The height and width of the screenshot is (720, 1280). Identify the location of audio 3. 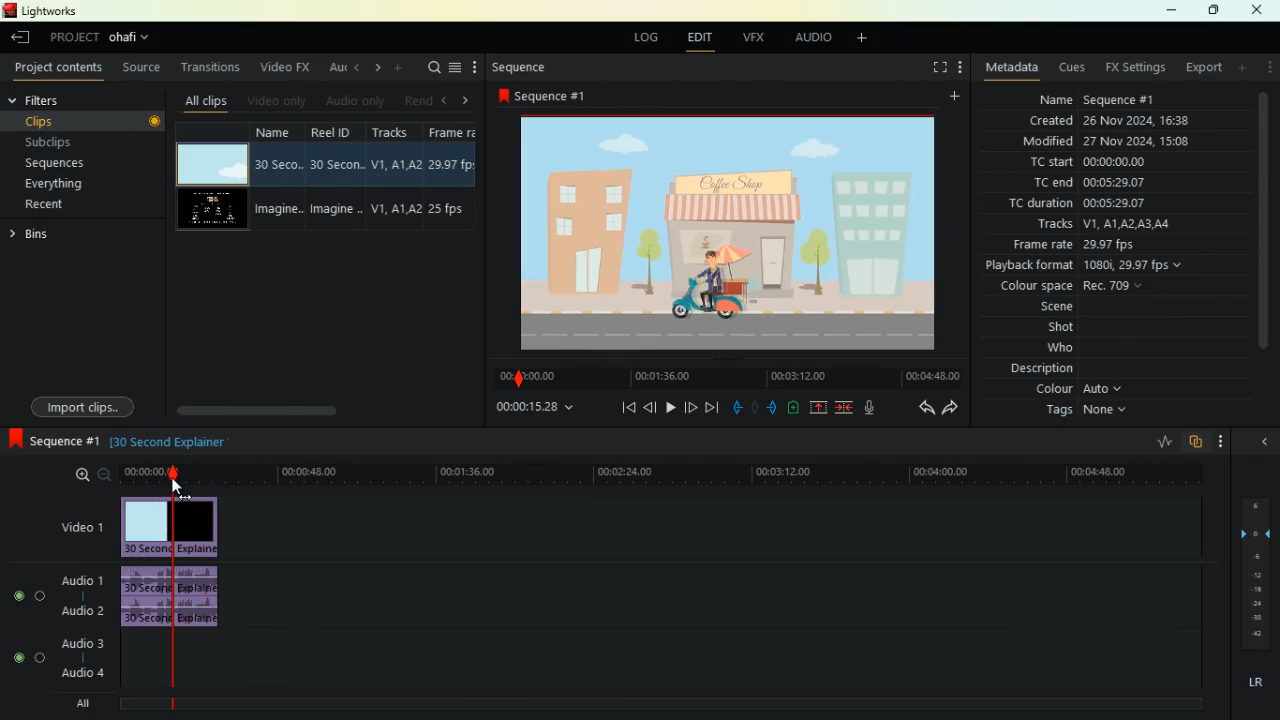
(74, 641).